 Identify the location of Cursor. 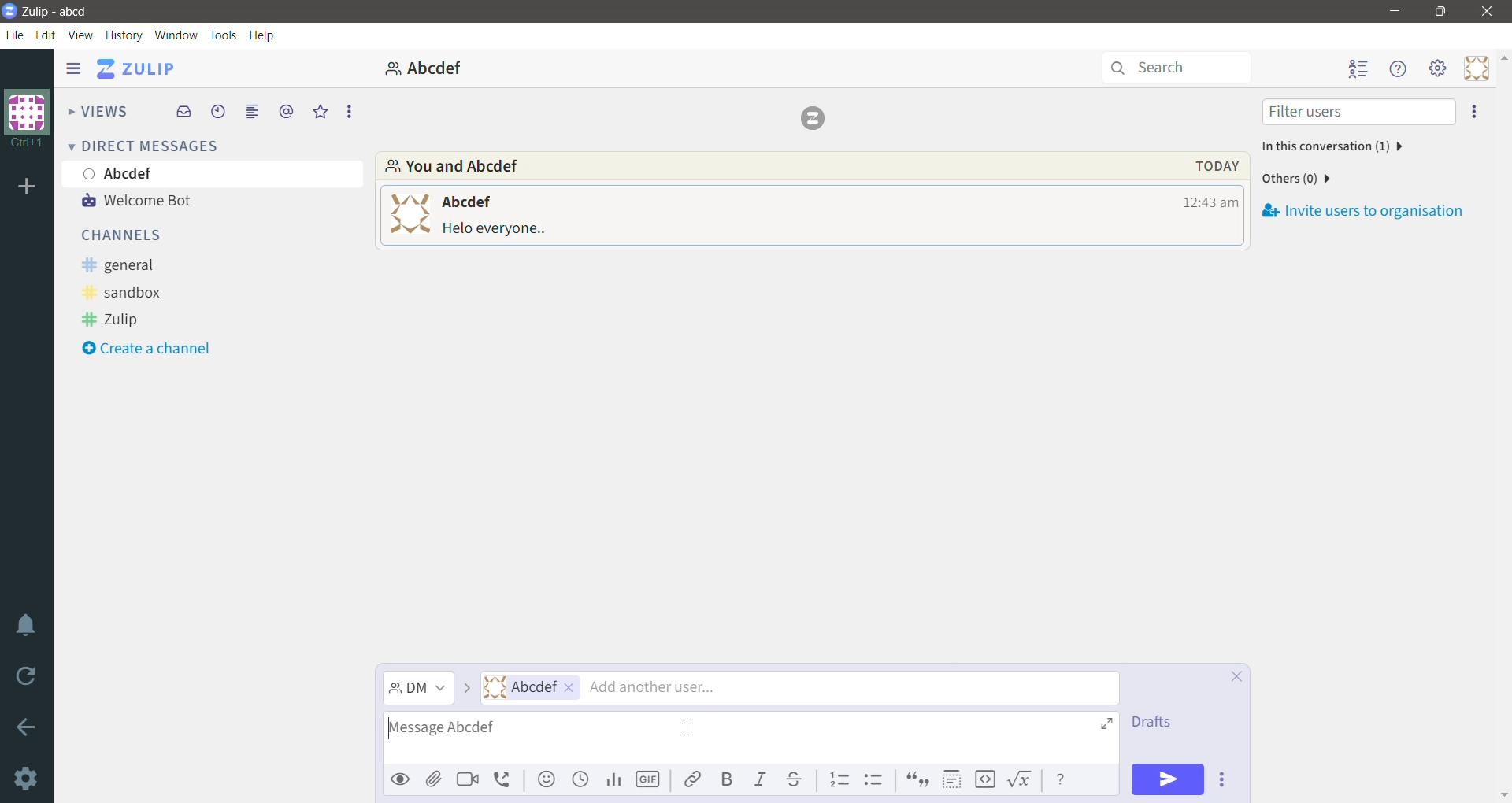
(689, 730).